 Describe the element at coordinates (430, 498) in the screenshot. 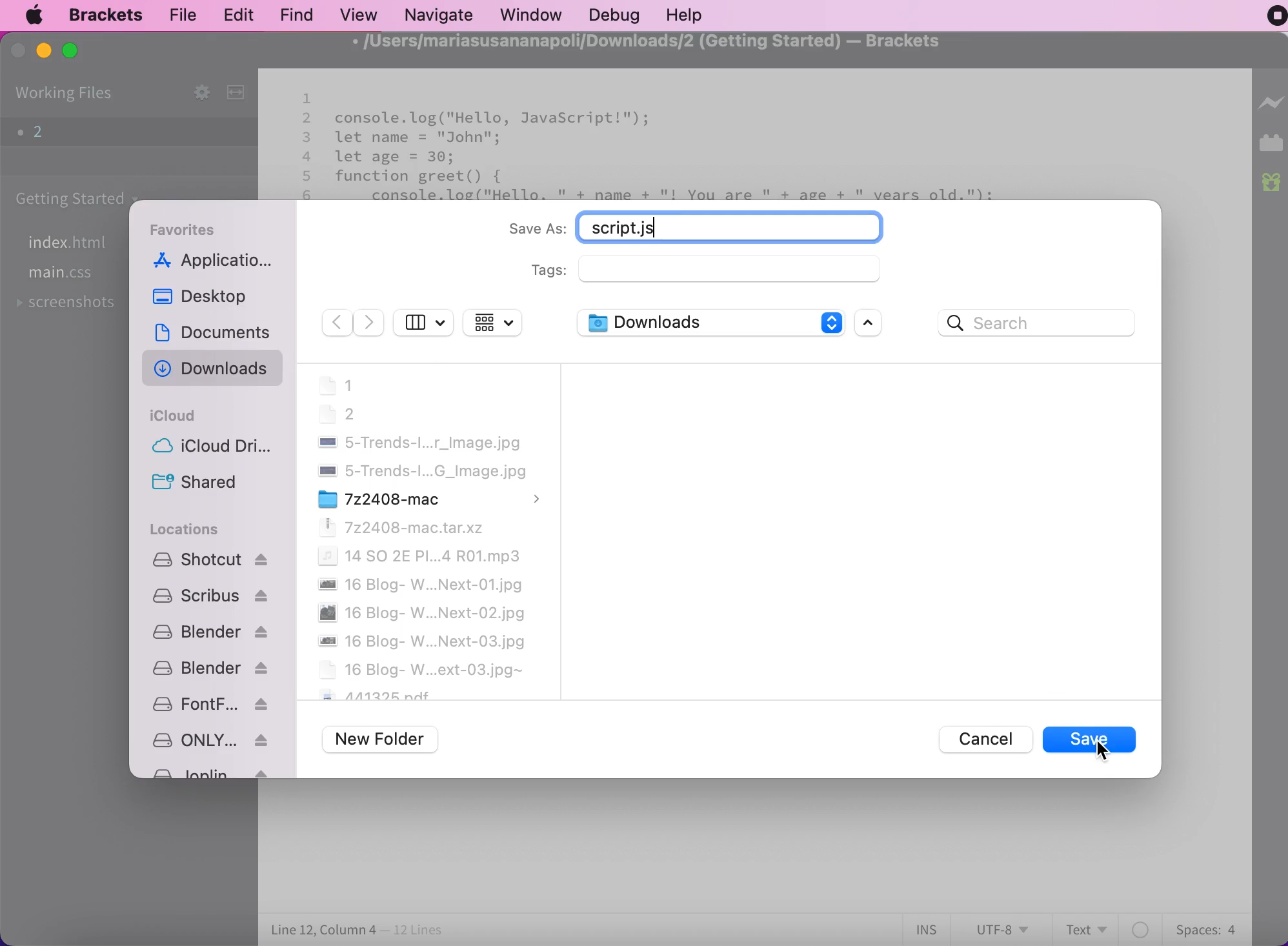

I see `7z2408-mac` at that location.